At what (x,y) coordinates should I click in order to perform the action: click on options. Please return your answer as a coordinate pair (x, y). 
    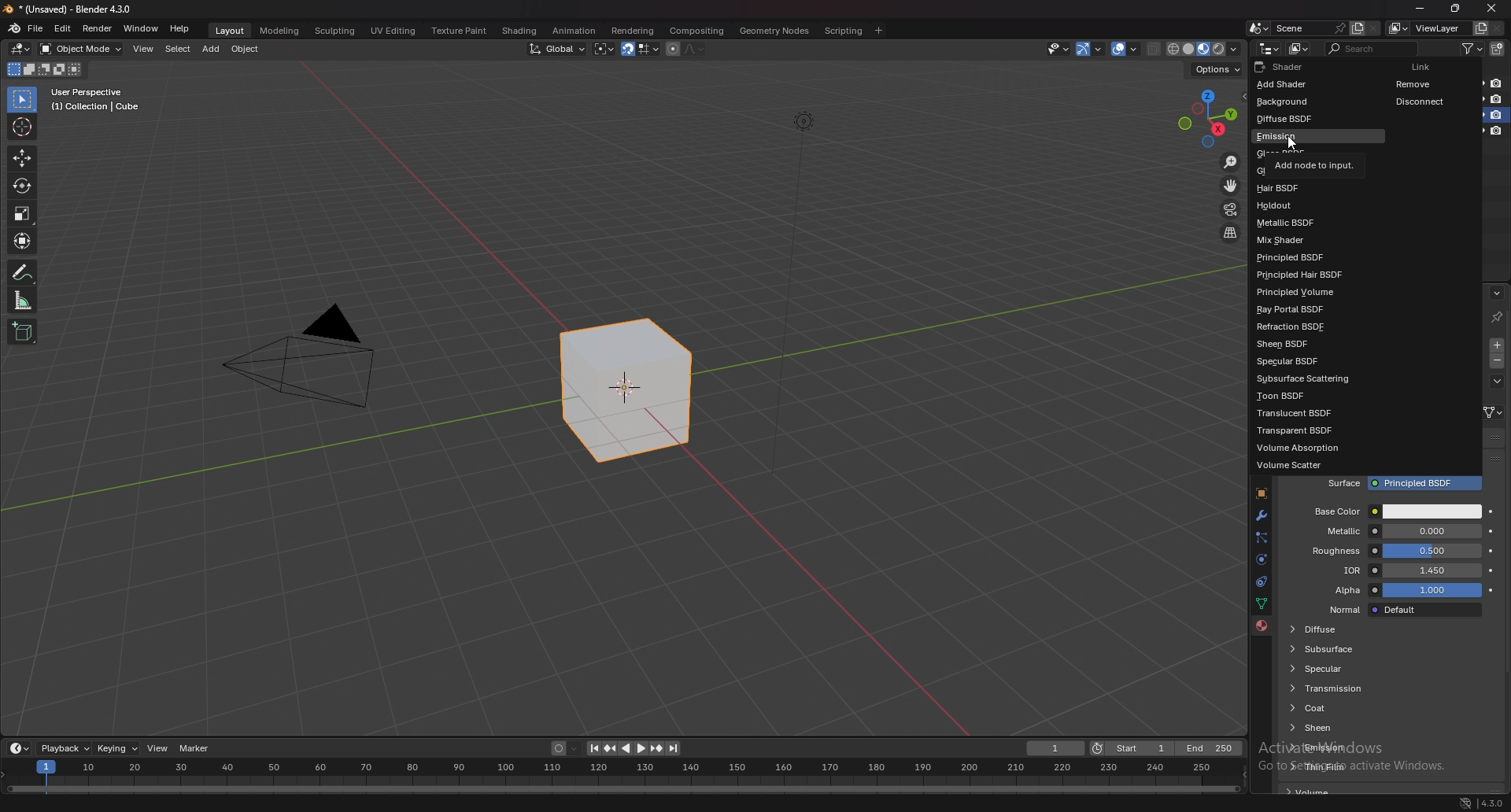
    Looking at the image, I should click on (1496, 293).